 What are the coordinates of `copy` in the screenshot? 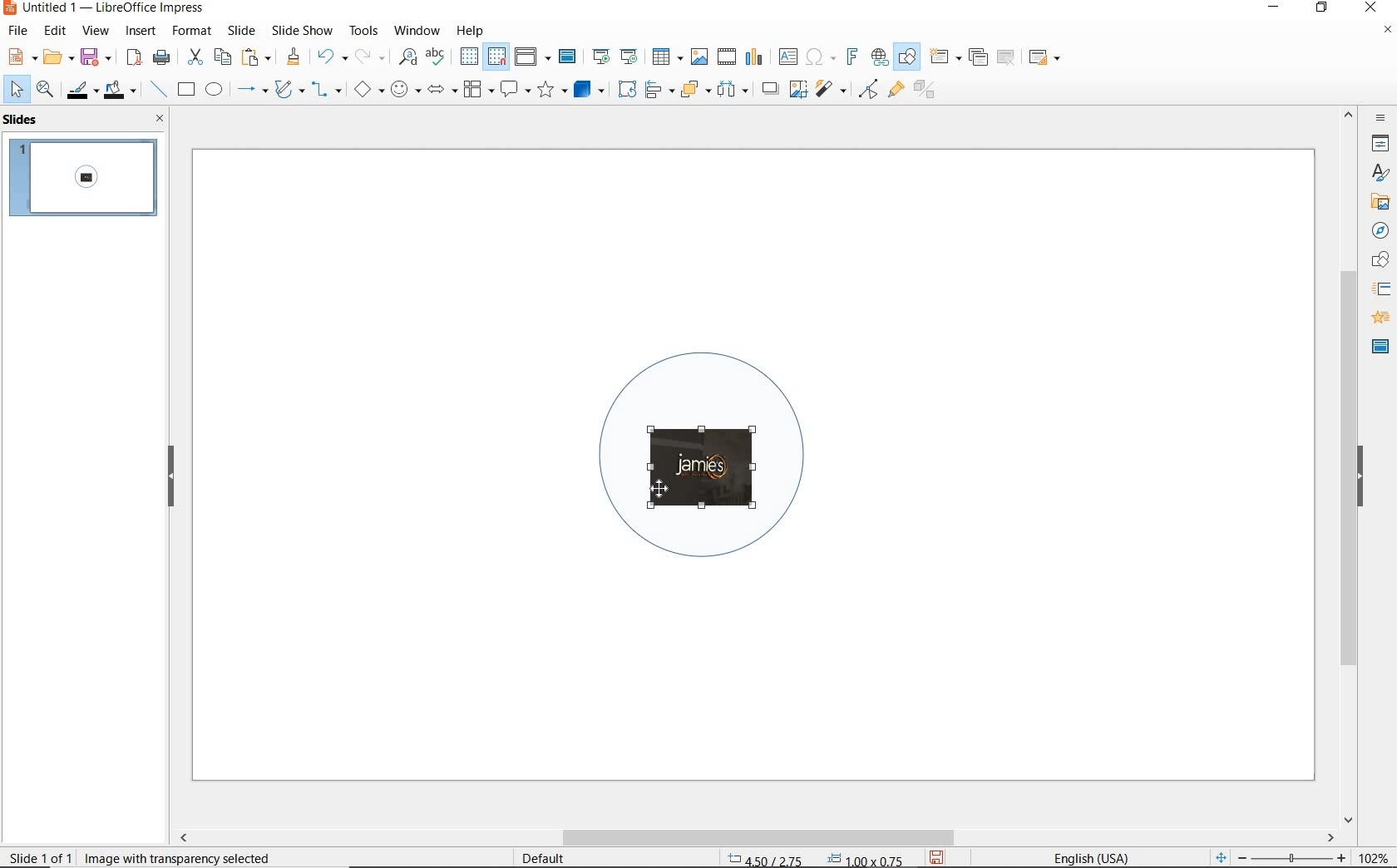 It's located at (222, 57).